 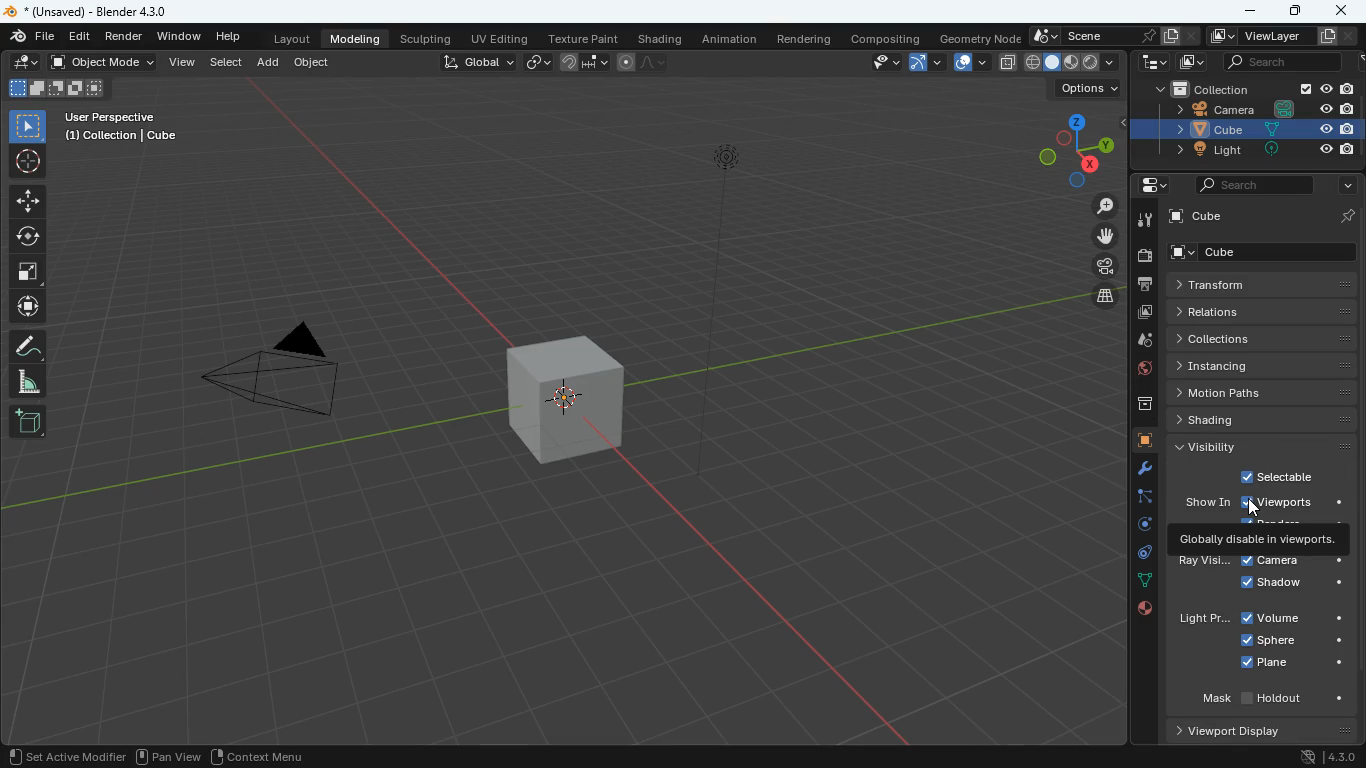 What do you see at coordinates (1094, 36) in the screenshot?
I see `scene` at bounding box center [1094, 36].